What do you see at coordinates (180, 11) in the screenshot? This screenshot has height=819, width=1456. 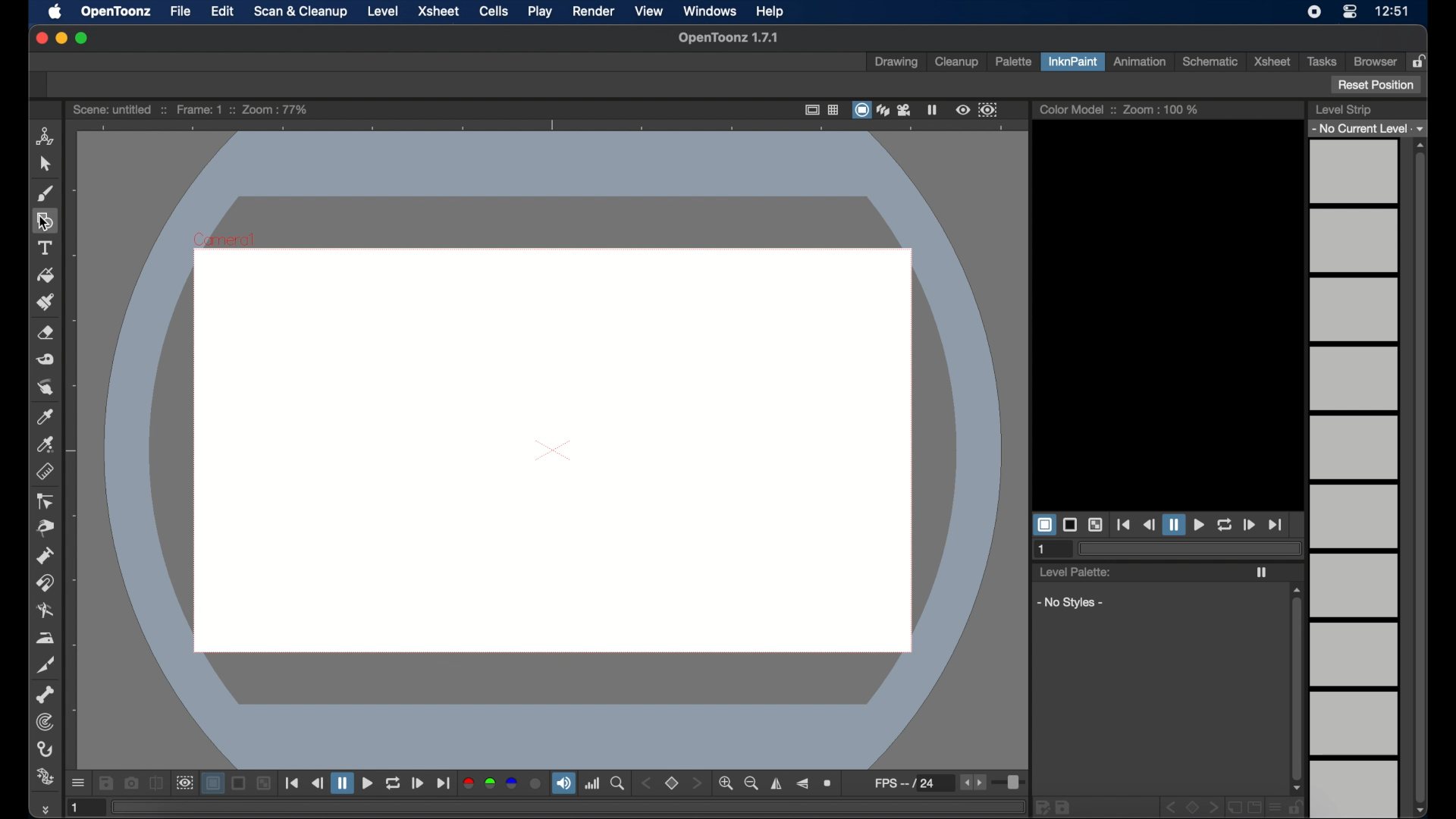 I see `file` at bounding box center [180, 11].